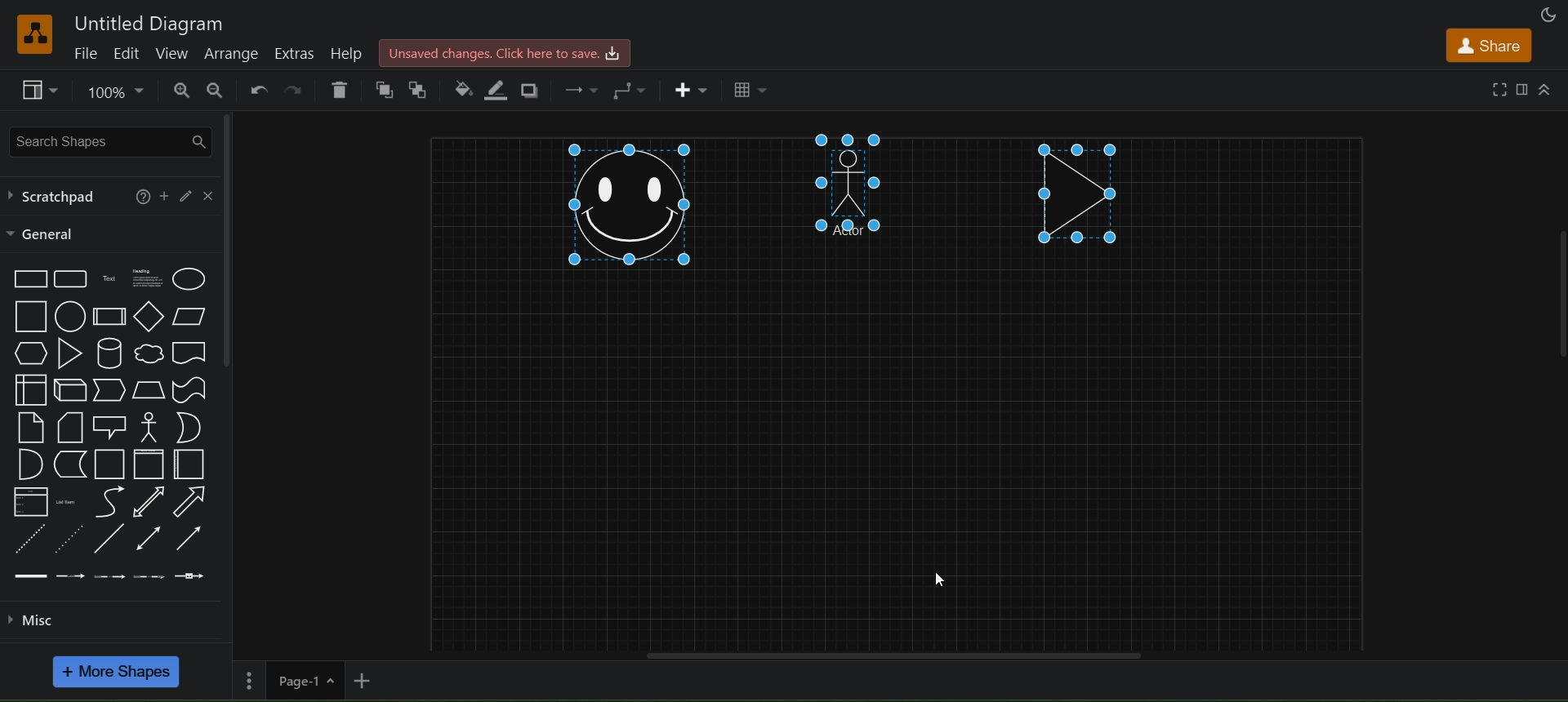 The image size is (1568, 702). What do you see at coordinates (110, 390) in the screenshot?
I see `step` at bounding box center [110, 390].